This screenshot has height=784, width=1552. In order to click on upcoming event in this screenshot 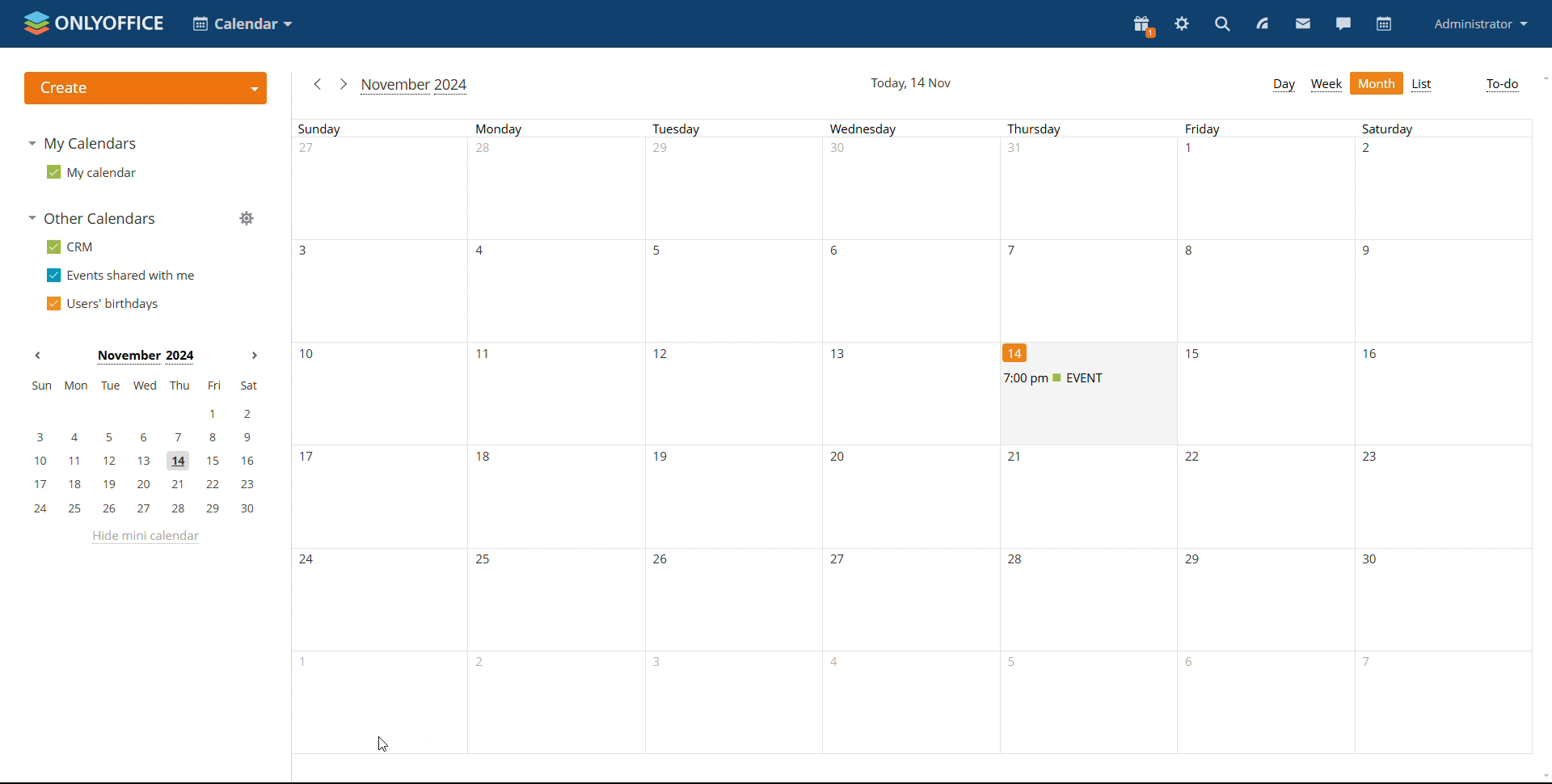, I will do `click(1086, 377)`.